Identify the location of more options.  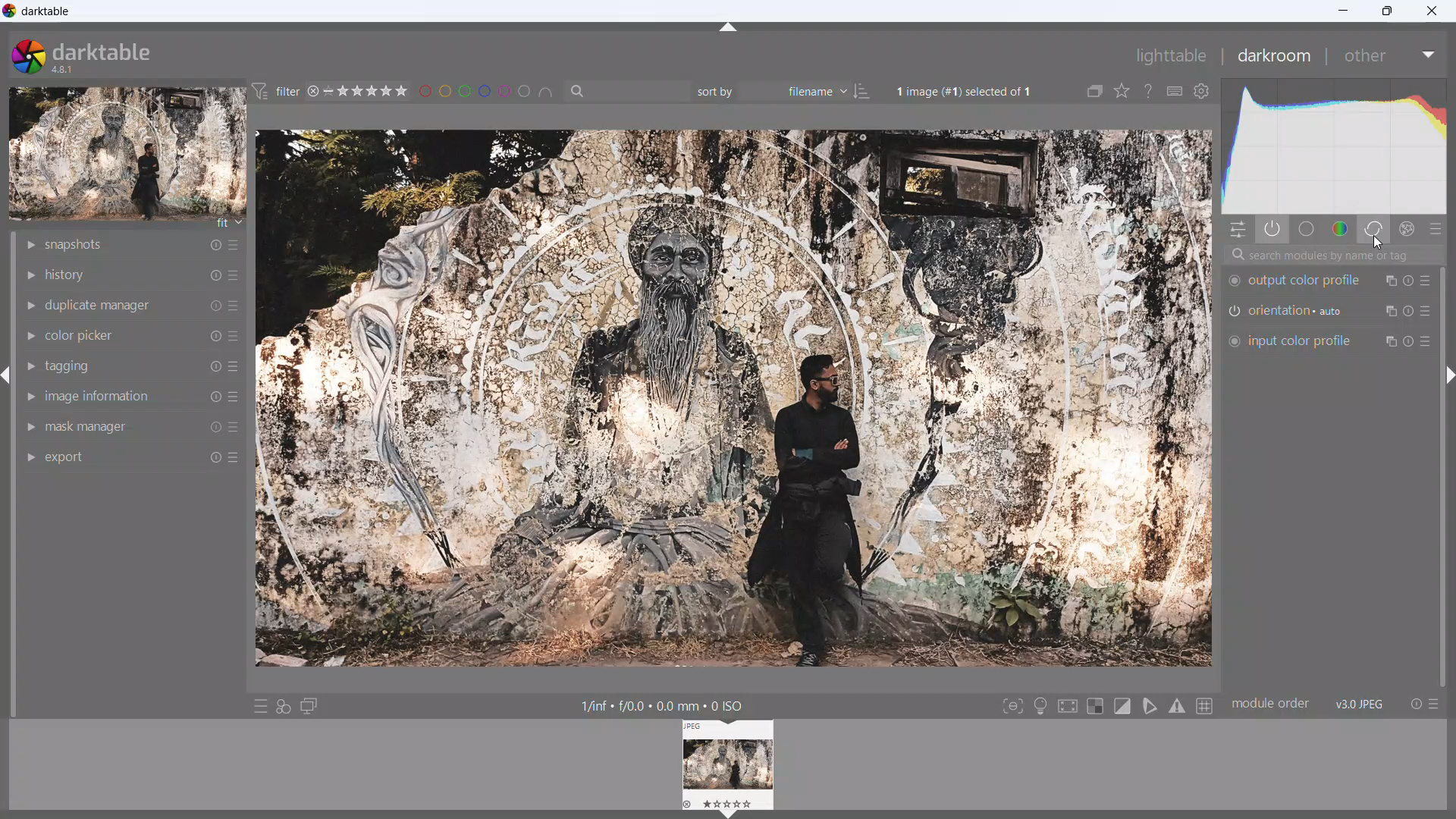
(236, 273).